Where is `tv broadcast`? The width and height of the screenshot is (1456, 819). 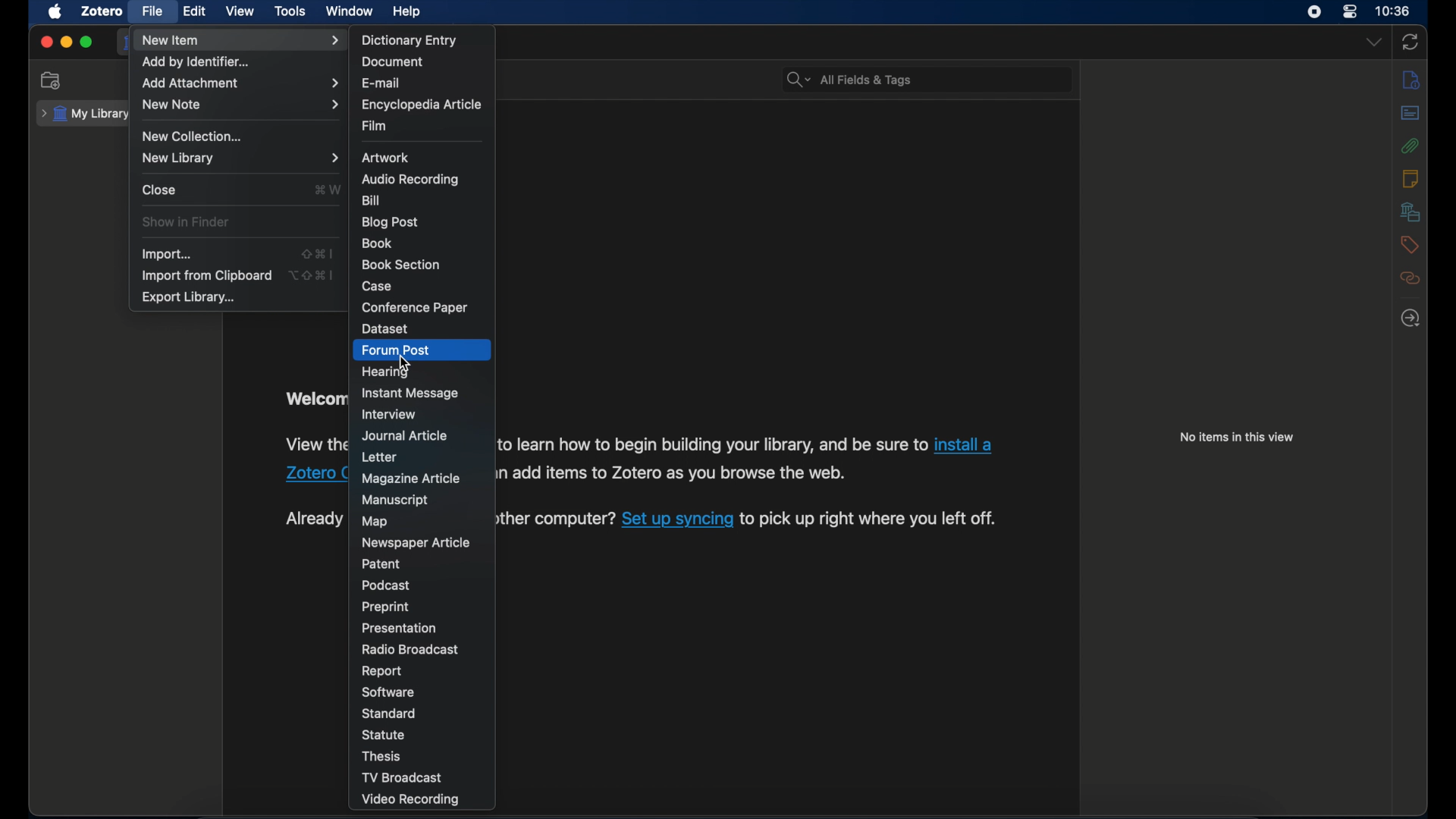 tv broadcast is located at coordinates (401, 777).